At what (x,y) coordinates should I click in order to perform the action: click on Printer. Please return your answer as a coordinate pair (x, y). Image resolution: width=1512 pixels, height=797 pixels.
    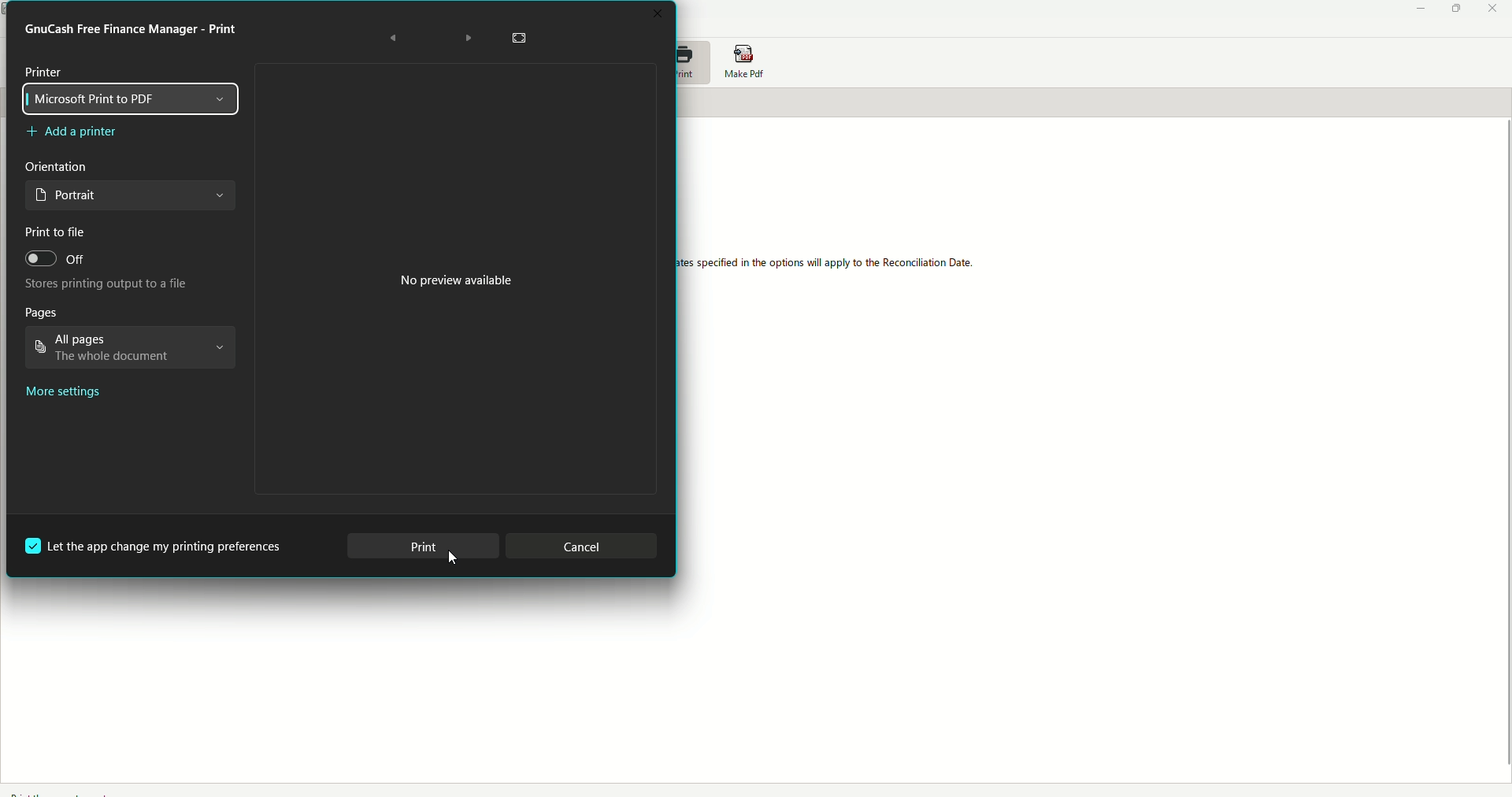
    Looking at the image, I should click on (42, 72).